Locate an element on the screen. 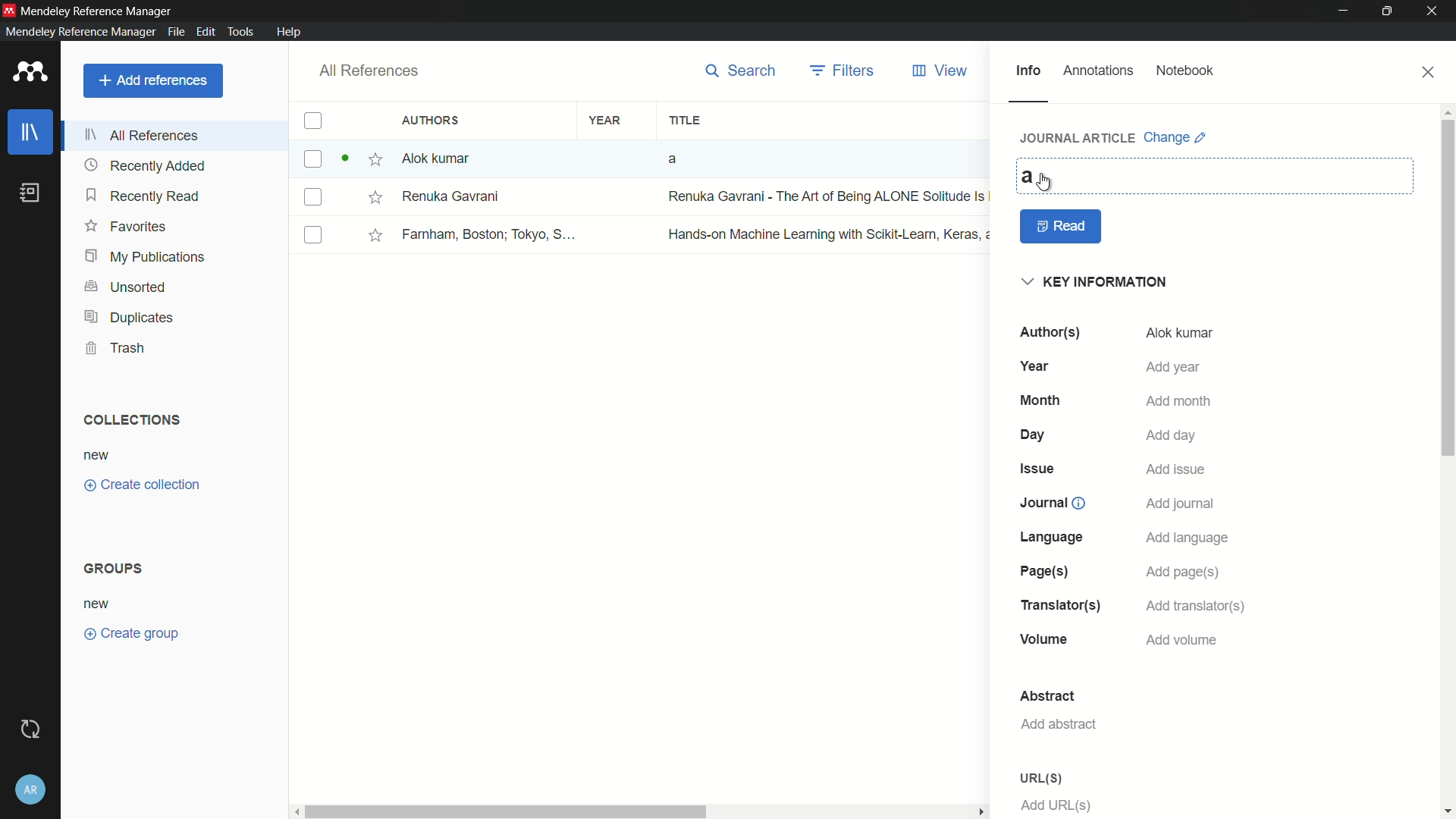 The height and width of the screenshot is (819, 1456). book is located at coordinates (33, 193).